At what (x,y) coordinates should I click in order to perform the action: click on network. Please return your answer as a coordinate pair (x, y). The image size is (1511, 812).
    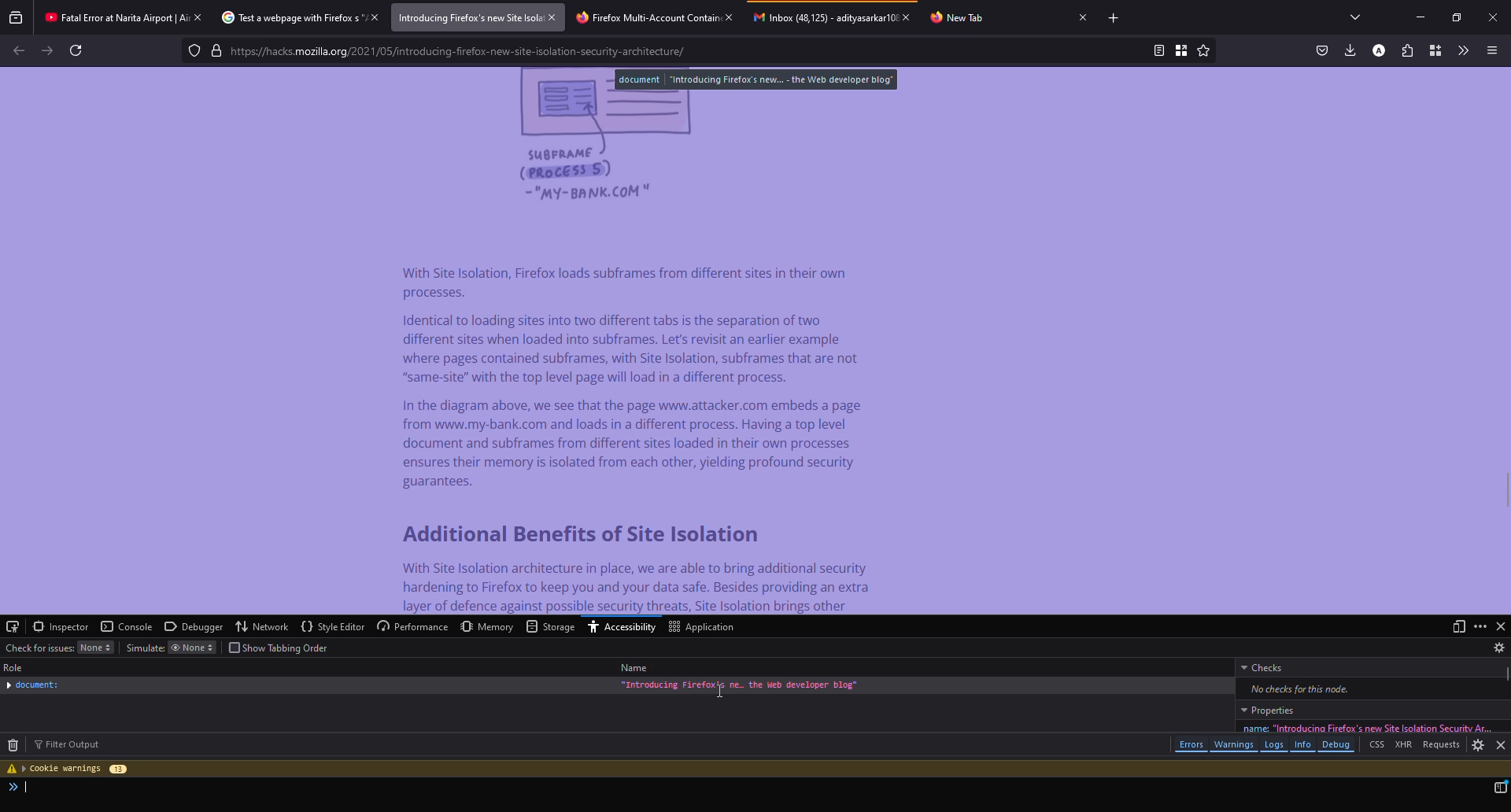
    Looking at the image, I should click on (261, 626).